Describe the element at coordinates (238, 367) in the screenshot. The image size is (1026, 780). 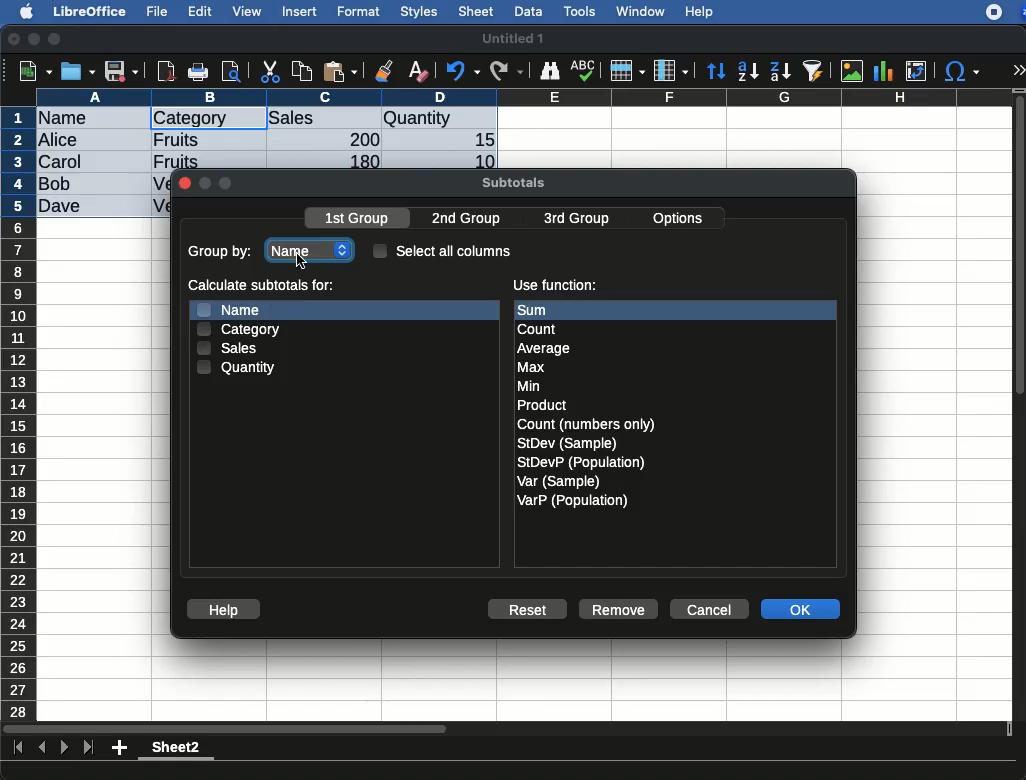
I see `quantity ` at that location.